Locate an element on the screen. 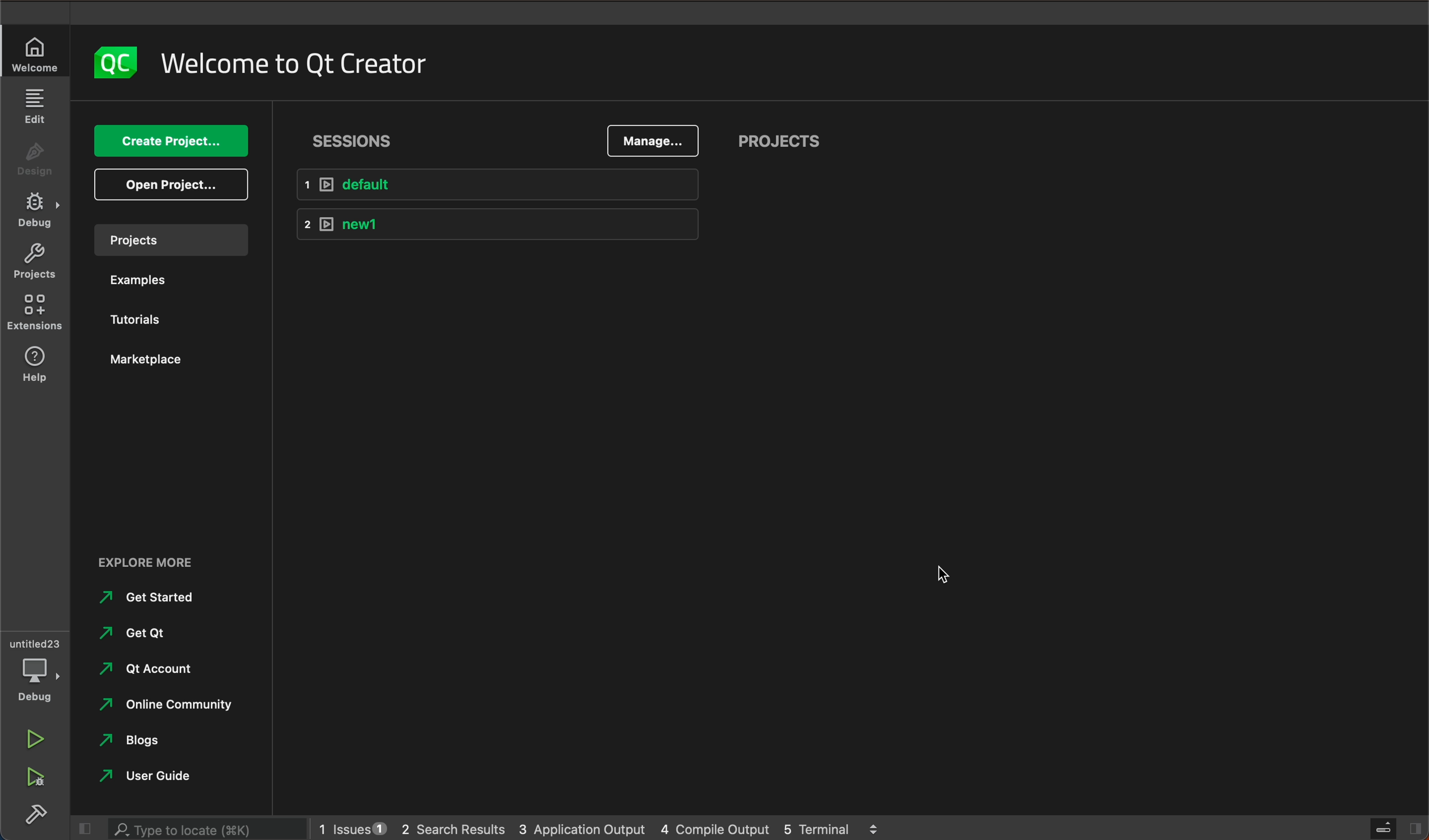 This screenshot has height=840, width=1429. welcome to Qt creator is located at coordinates (295, 63).